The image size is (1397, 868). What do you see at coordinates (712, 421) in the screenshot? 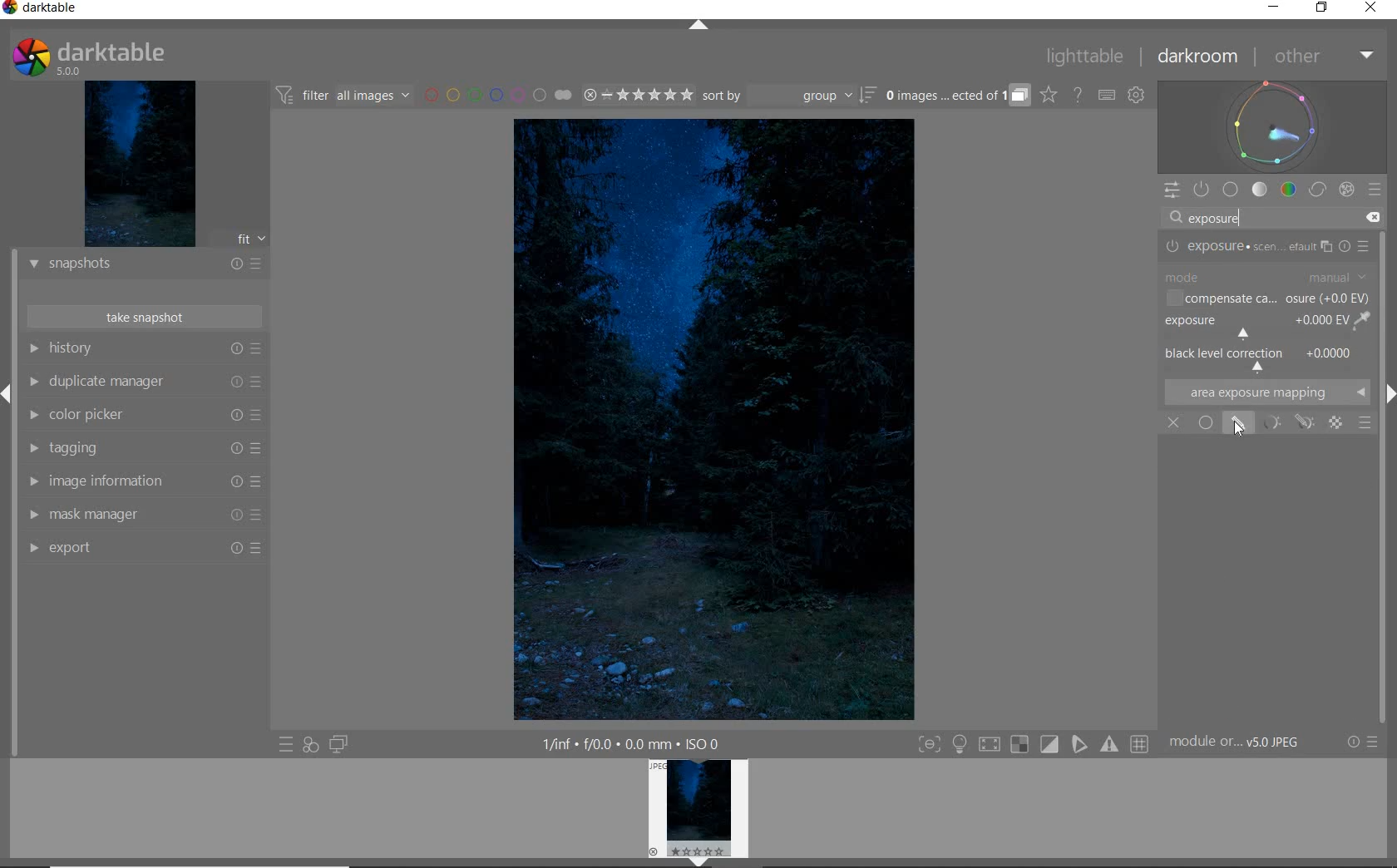
I see `SELECTED IMAGE` at bounding box center [712, 421].